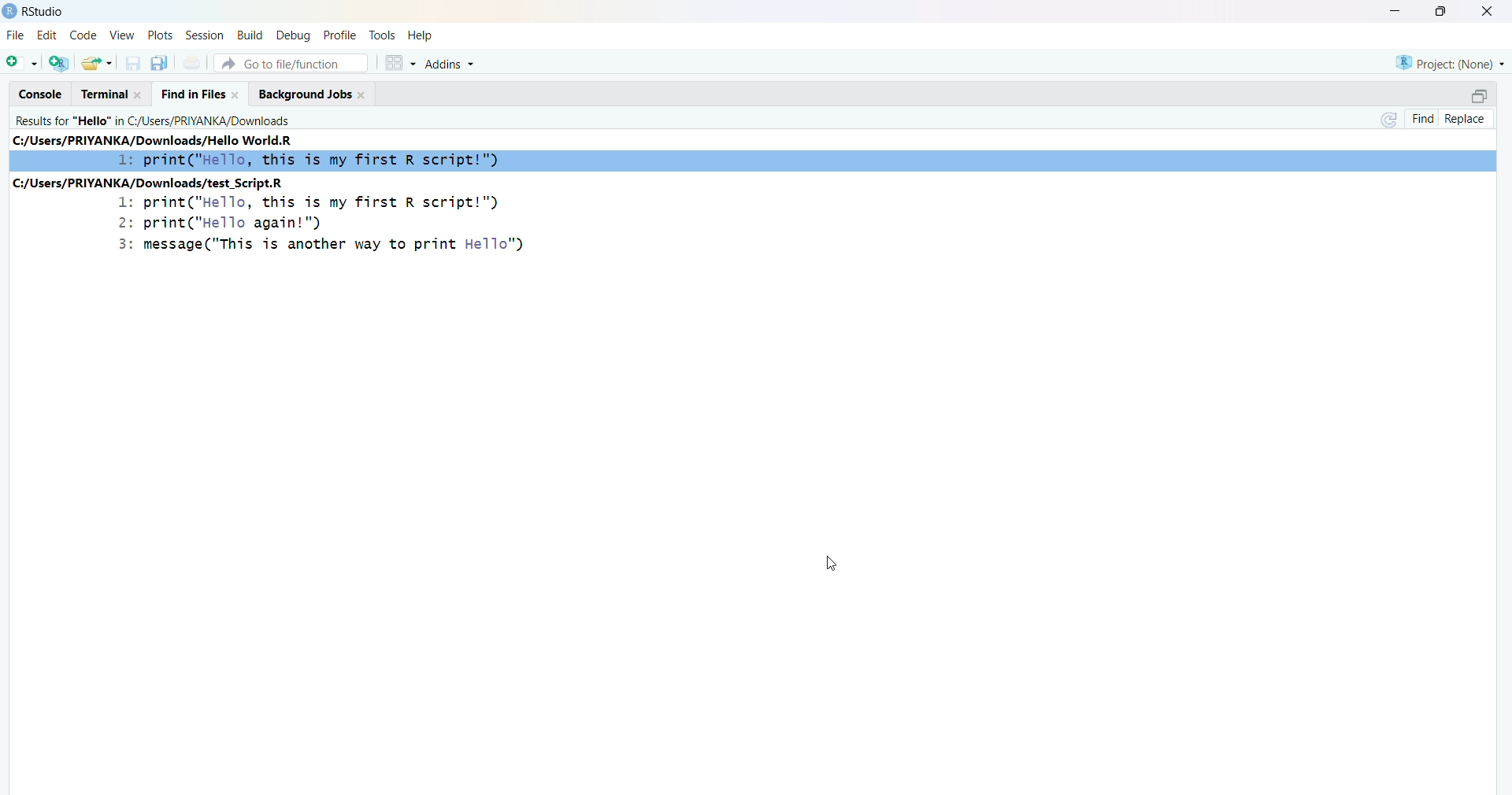 Image resolution: width=1512 pixels, height=795 pixels. I want to click on Help, so click(421, 35).